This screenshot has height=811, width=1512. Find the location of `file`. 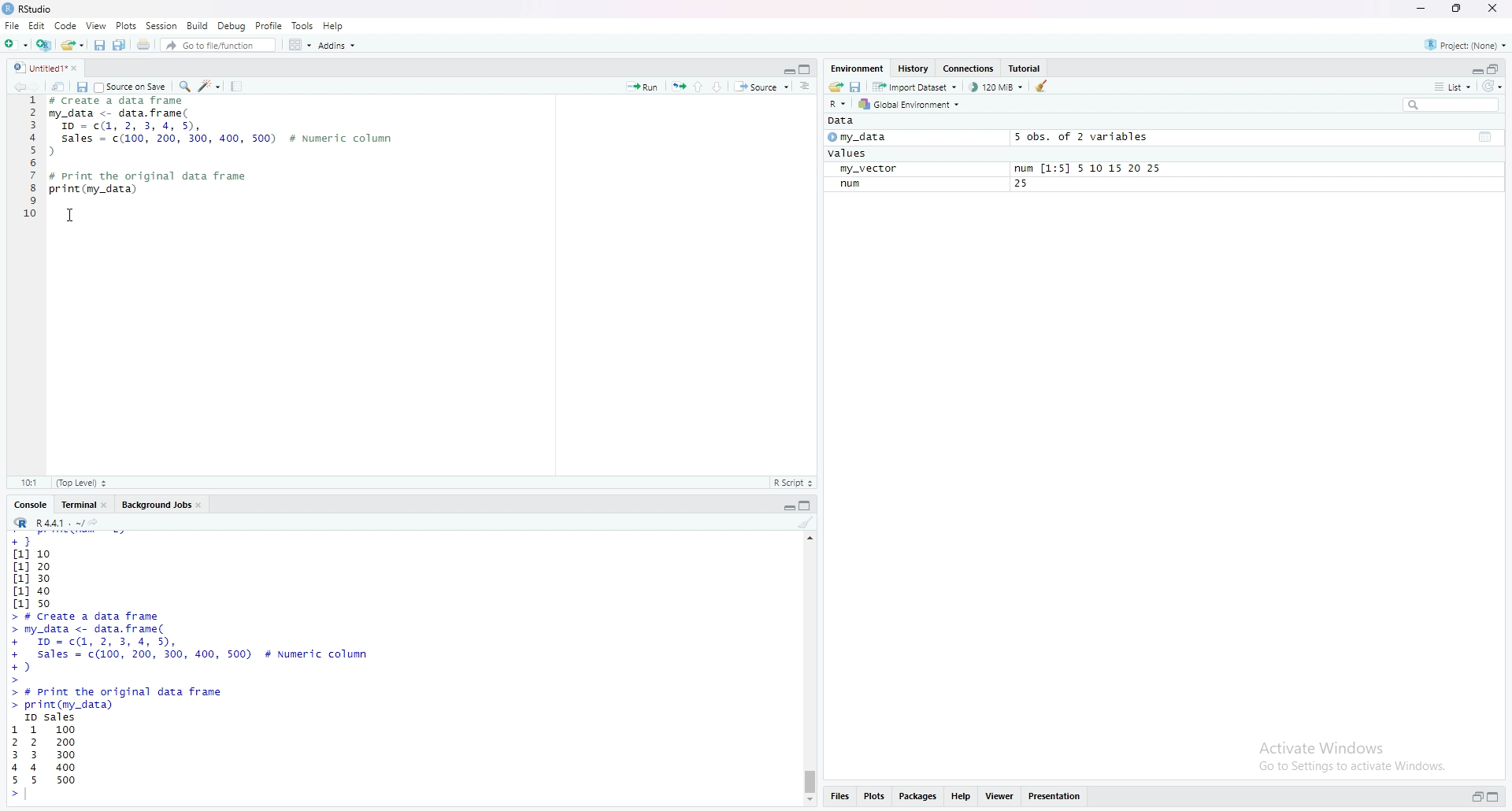

file is located at coordinates (13, 25).